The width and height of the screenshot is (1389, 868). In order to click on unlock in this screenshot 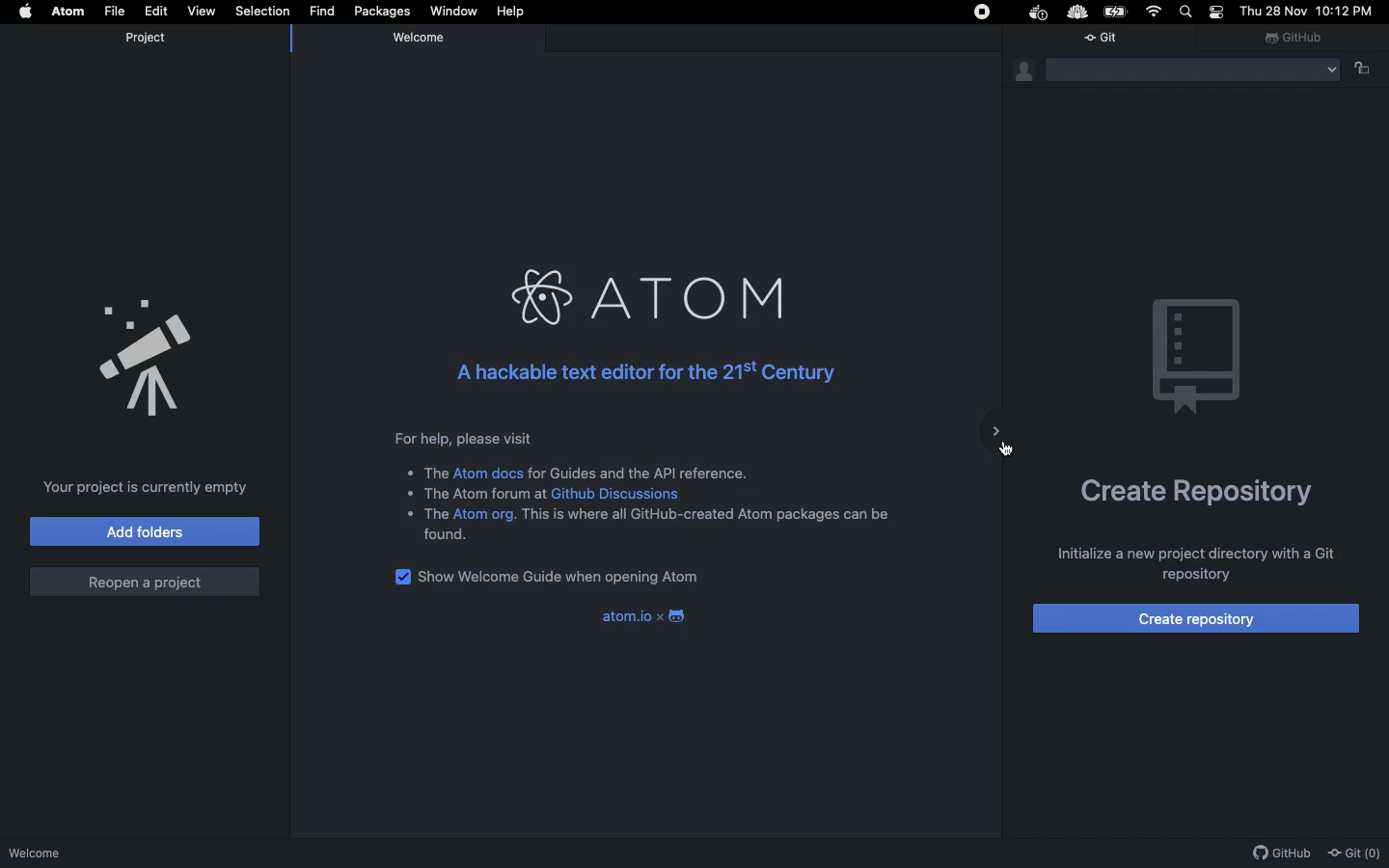, I will do `click(1370, 69)`.